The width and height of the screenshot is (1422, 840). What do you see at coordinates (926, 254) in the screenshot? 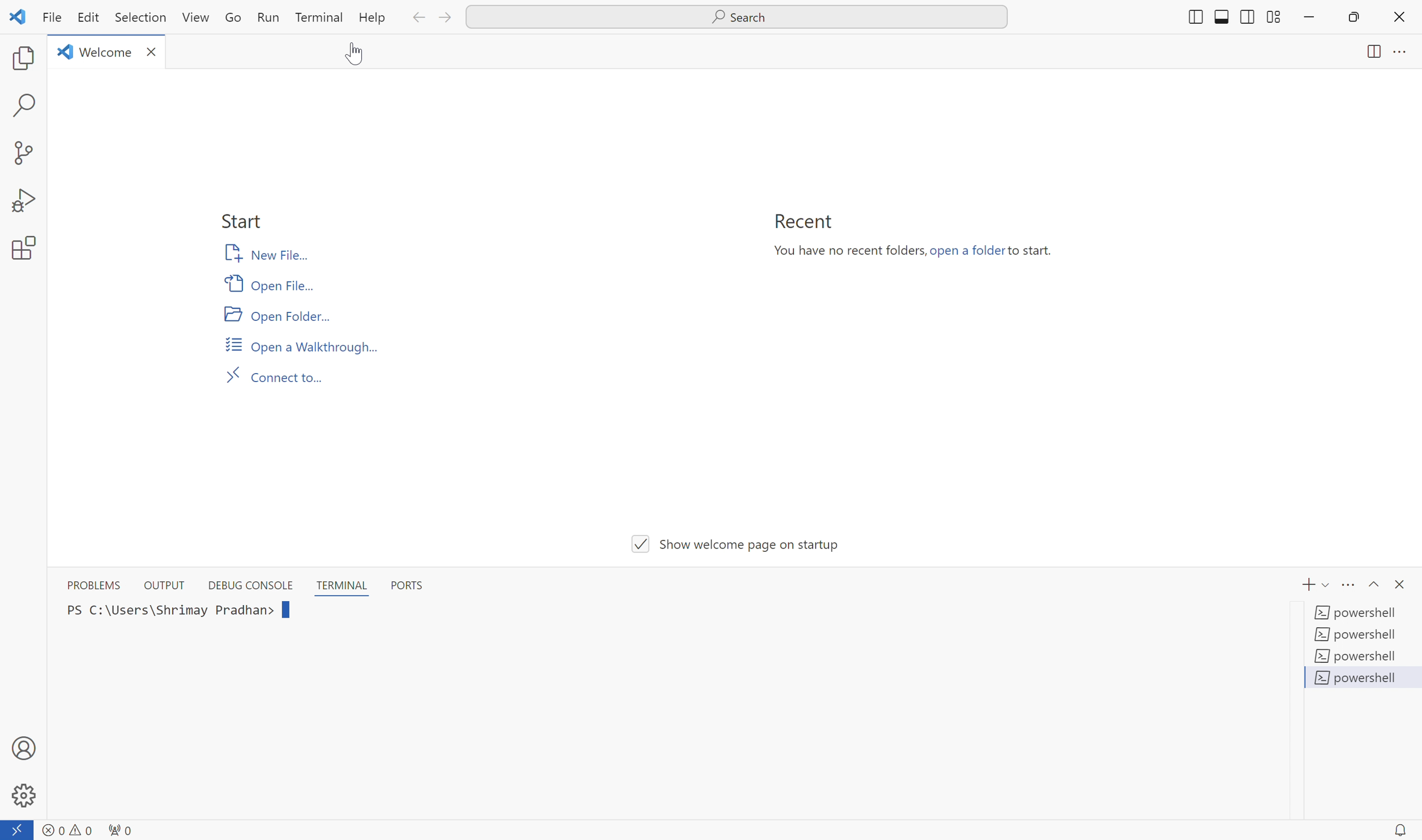
I see `You have no recent folders, open a folder to start.` at bounding box center [926, 254].